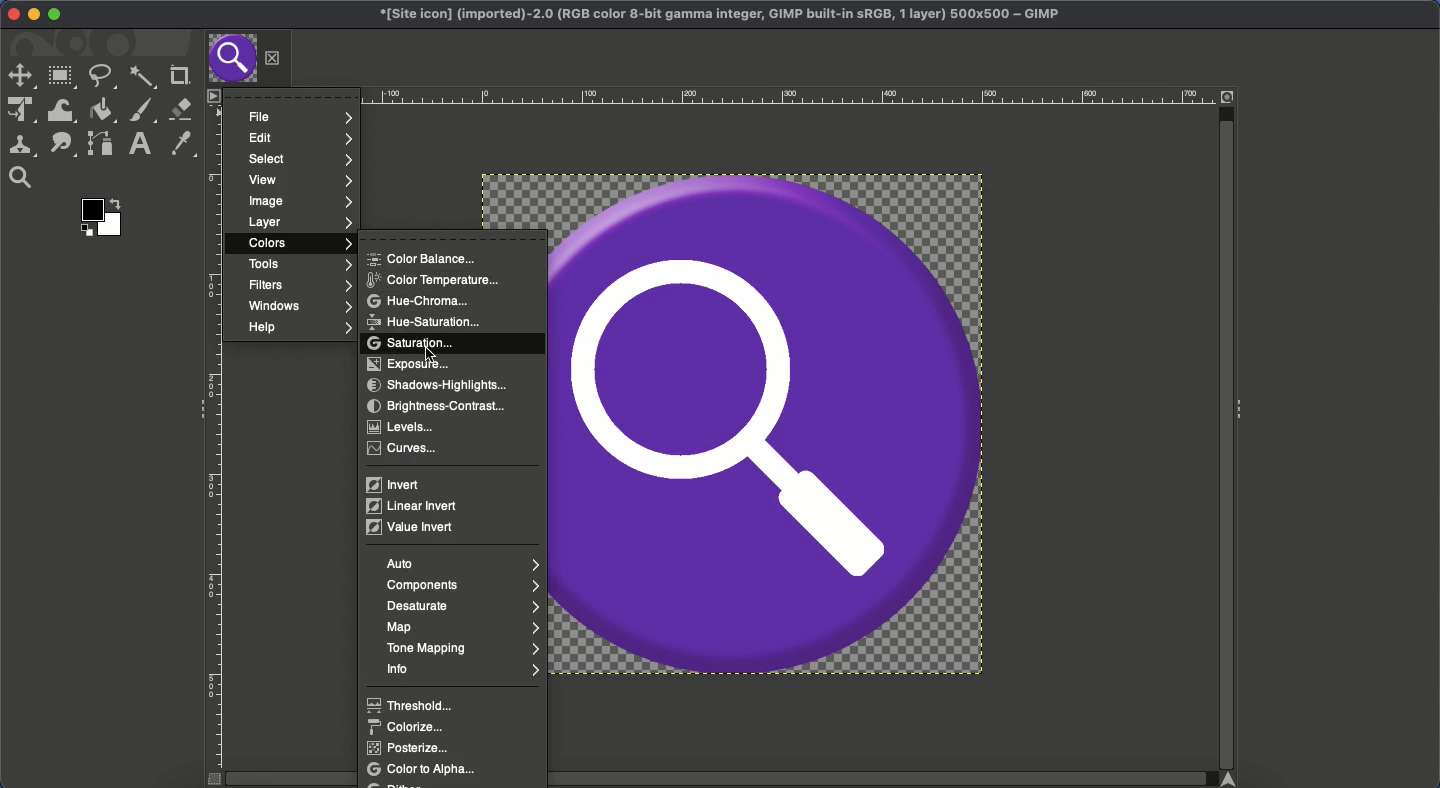 The image size is (1440, 788). I want to click on Saturation, so click(415, 344).